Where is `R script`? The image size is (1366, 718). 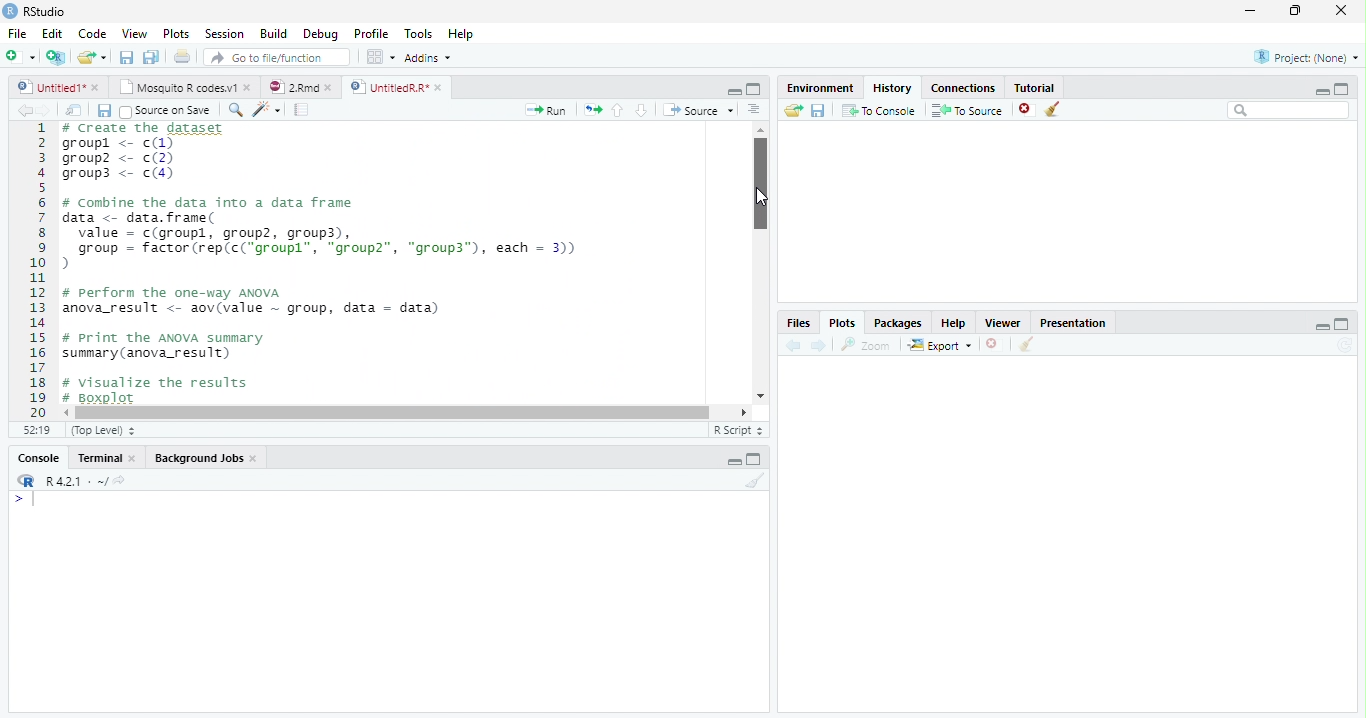 R script is located at coordinates (736, 429).